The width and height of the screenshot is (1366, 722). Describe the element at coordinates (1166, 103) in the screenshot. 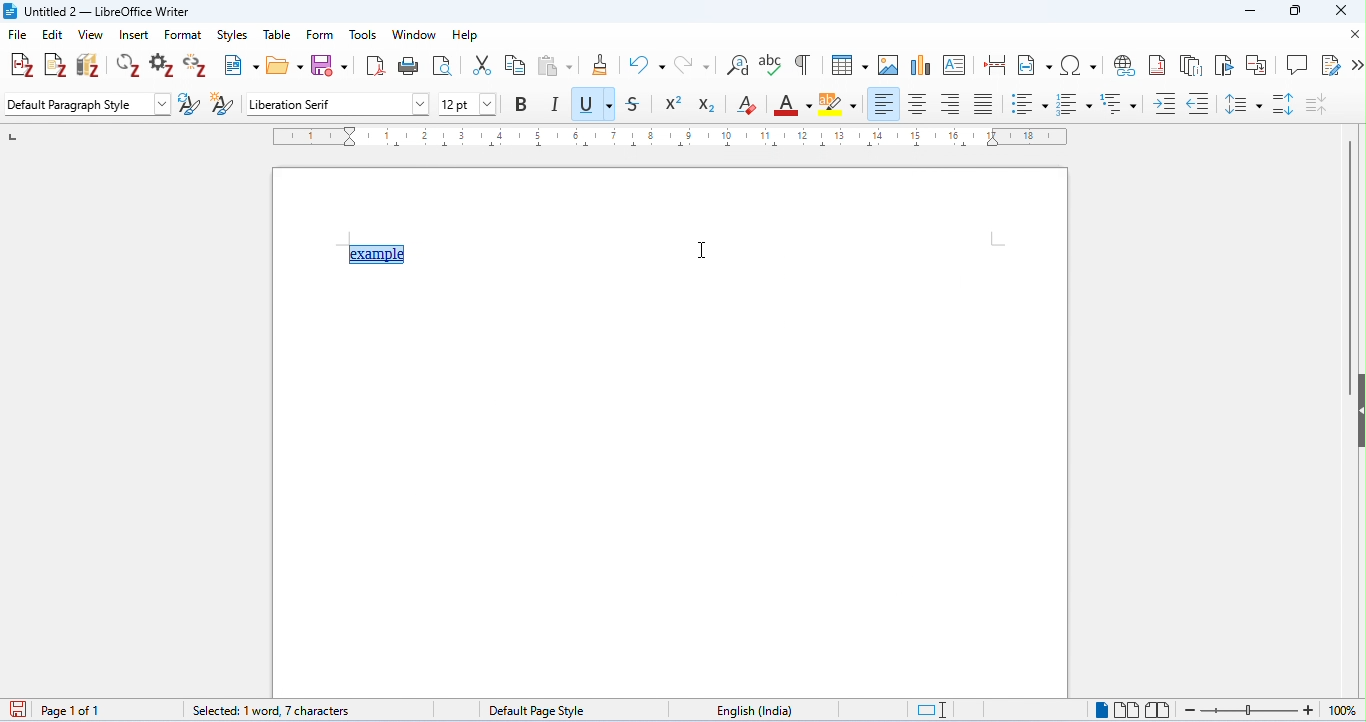

I see `increase indent` at that location.